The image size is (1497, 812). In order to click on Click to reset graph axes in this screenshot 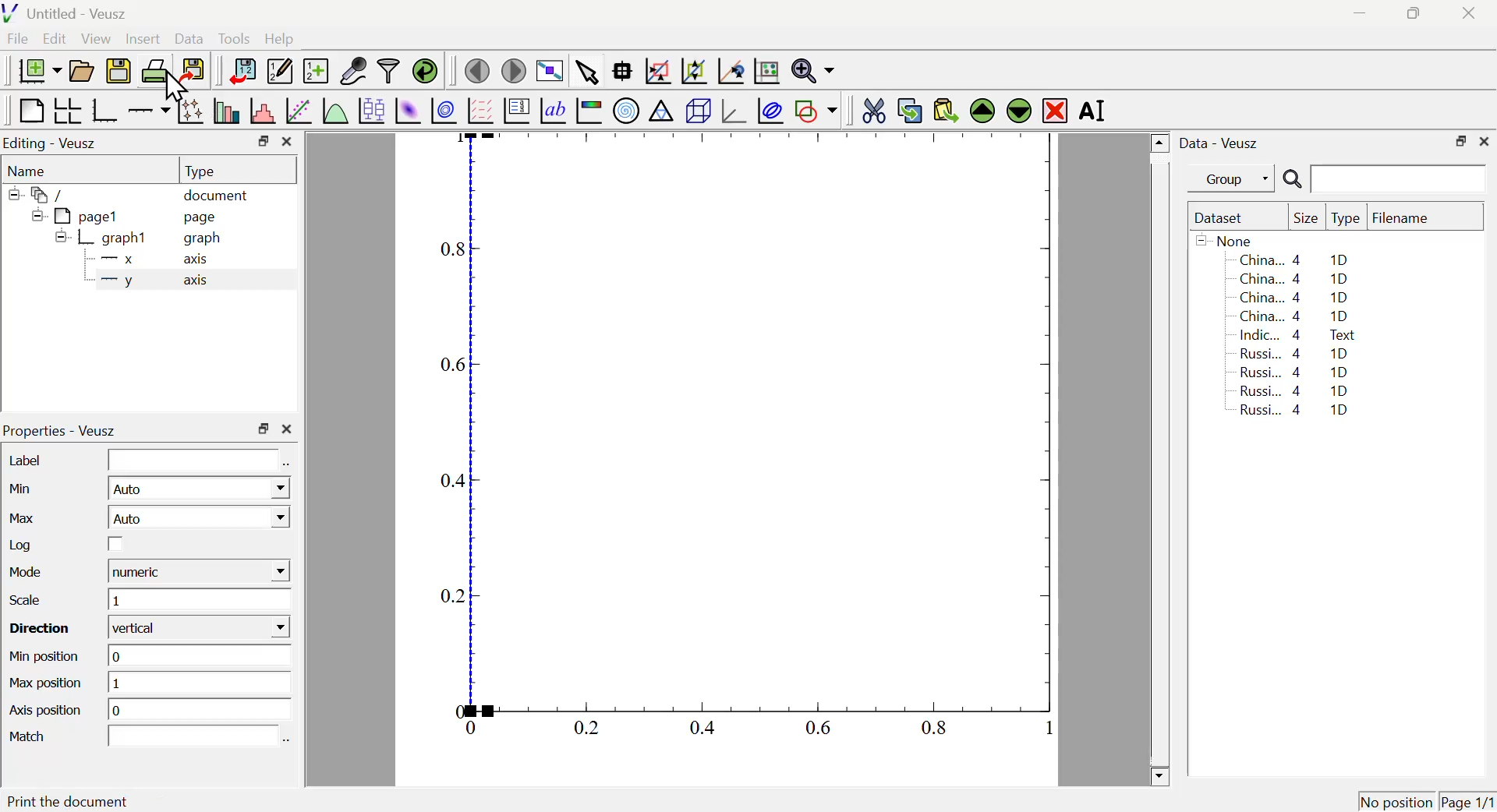, I will do `click(728, 72)`.